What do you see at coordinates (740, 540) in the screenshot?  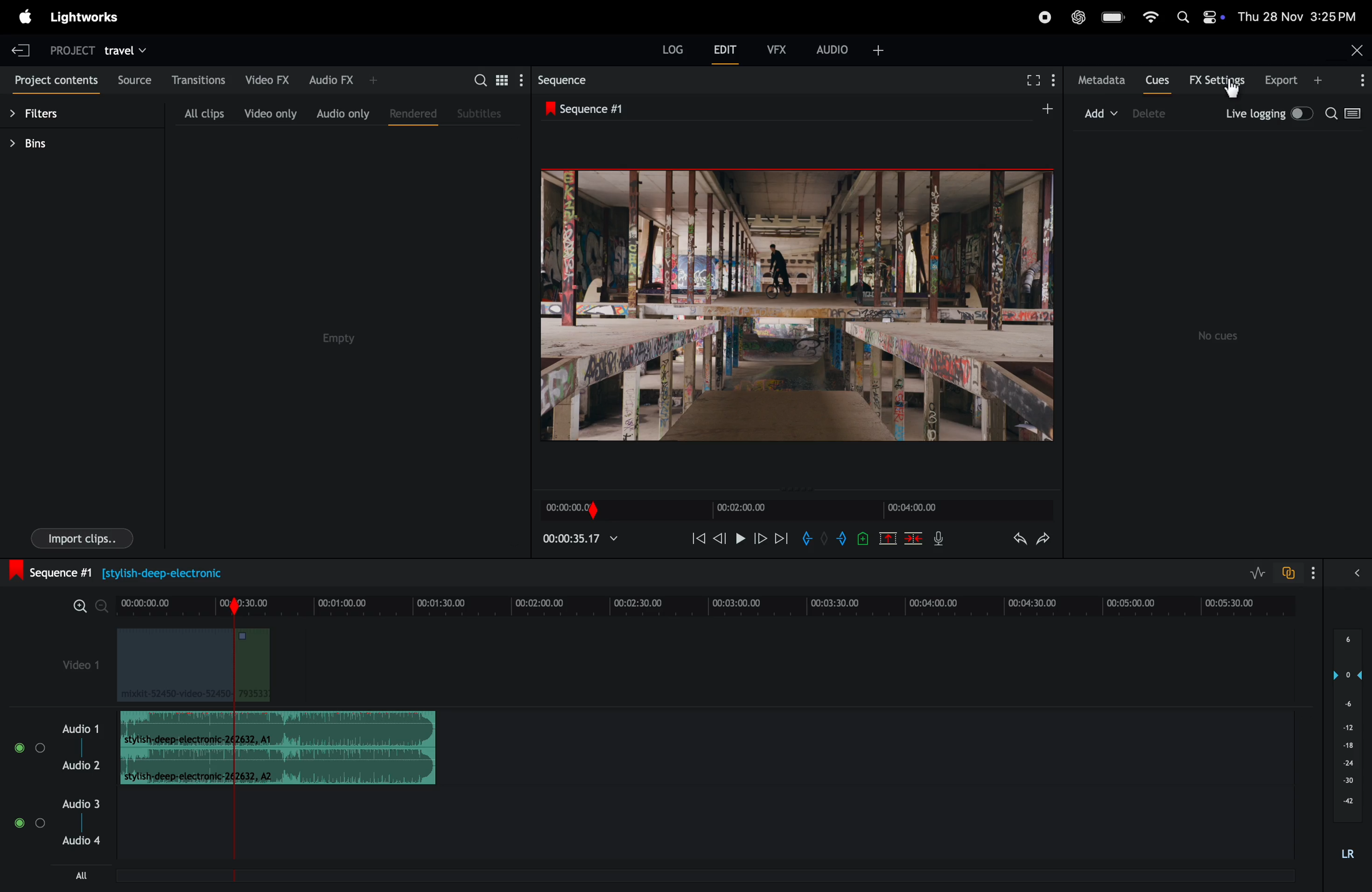 I see `pause ` at bounding box center [740, 540].